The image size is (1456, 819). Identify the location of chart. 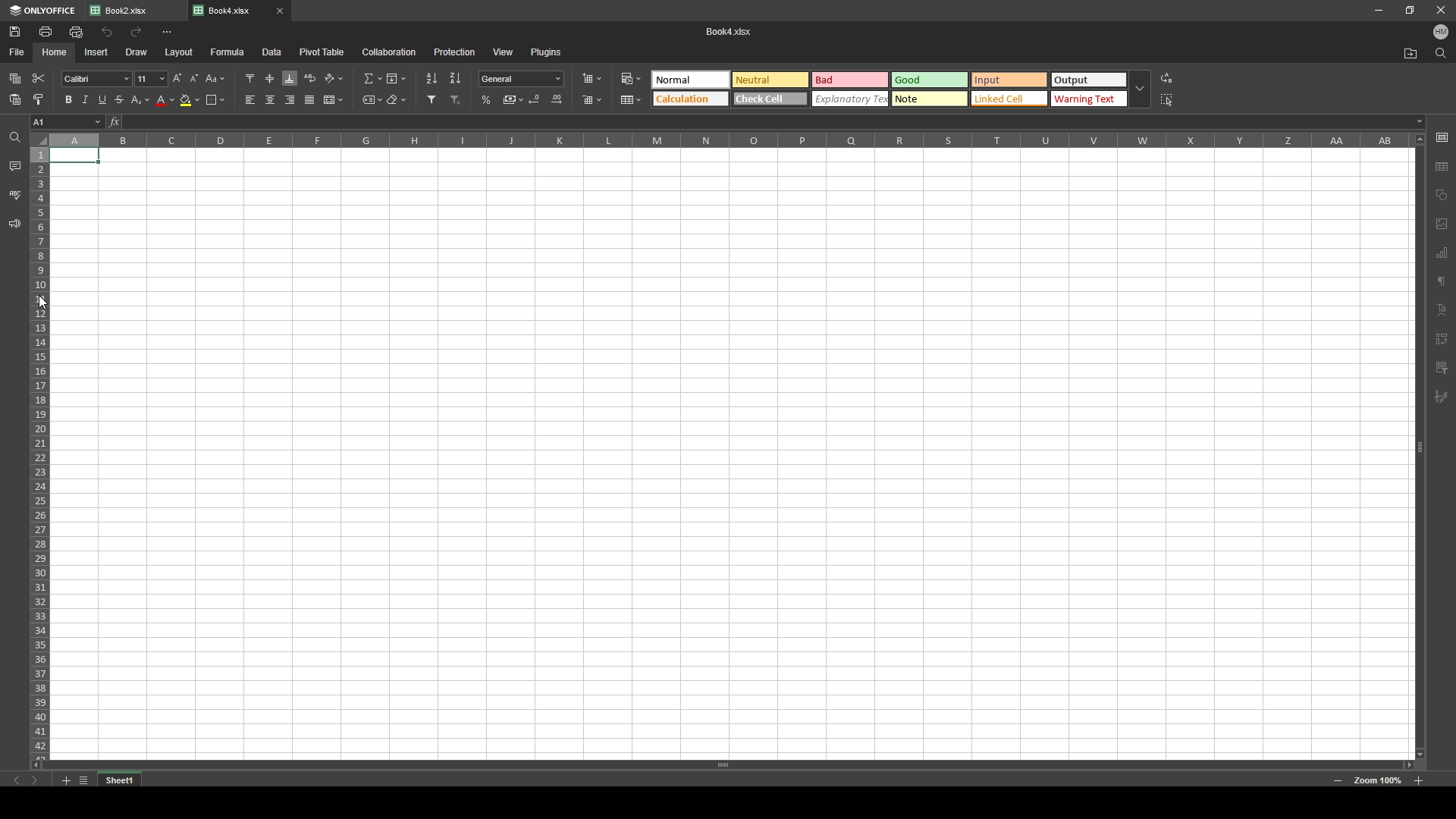
(1443, 254).